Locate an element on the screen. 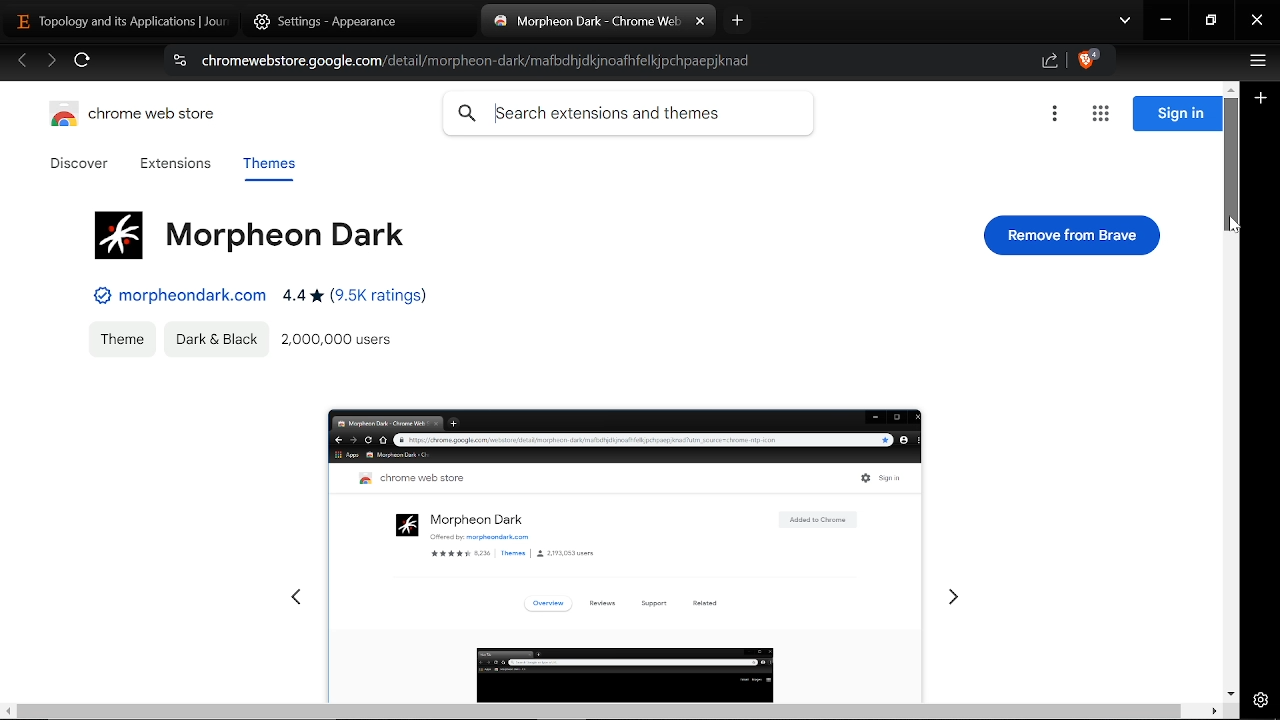 The height and width of the screenshot is (720, 1280). Close is located at coordinates (1257, 22).